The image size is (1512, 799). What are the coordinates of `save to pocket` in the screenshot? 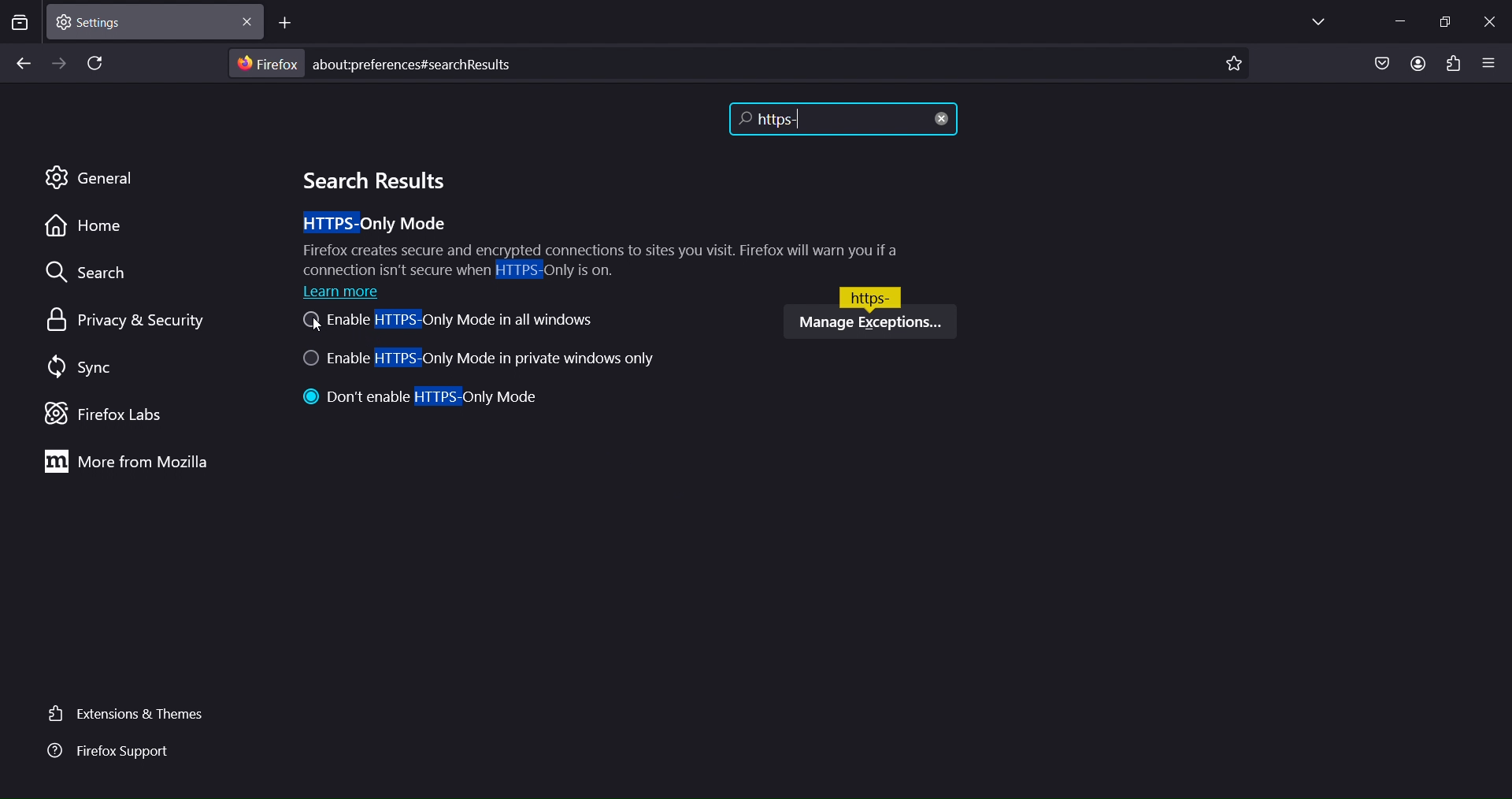 It's located at (1378, 64).